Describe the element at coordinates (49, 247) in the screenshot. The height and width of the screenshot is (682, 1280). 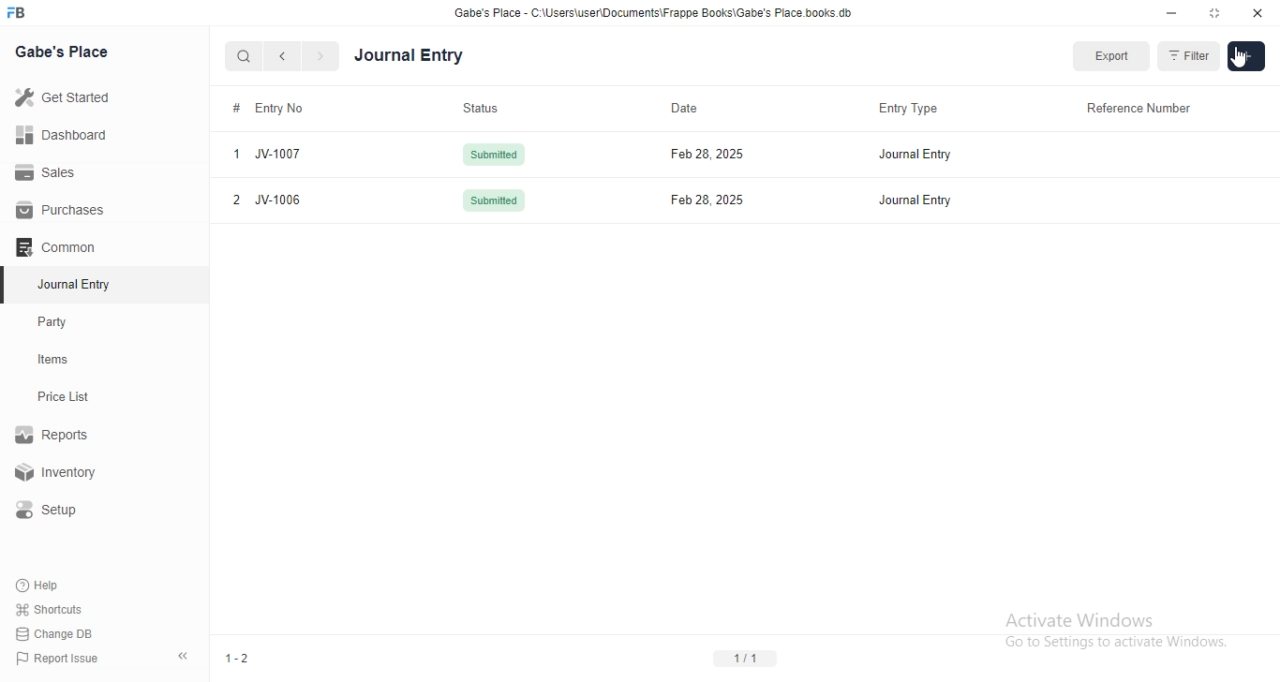
I see `Comman` at that location.